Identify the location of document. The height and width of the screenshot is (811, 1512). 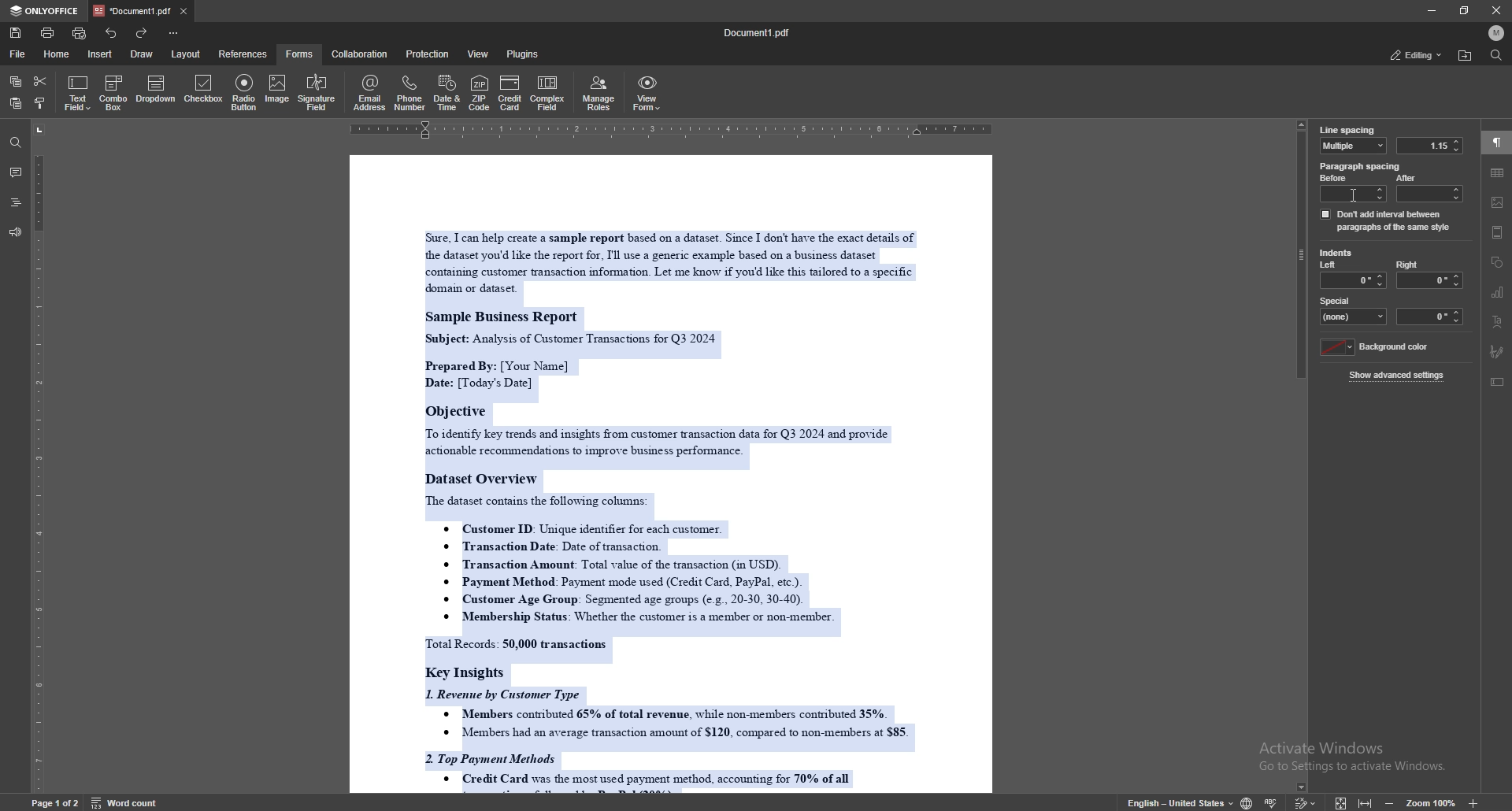
(668, 476).